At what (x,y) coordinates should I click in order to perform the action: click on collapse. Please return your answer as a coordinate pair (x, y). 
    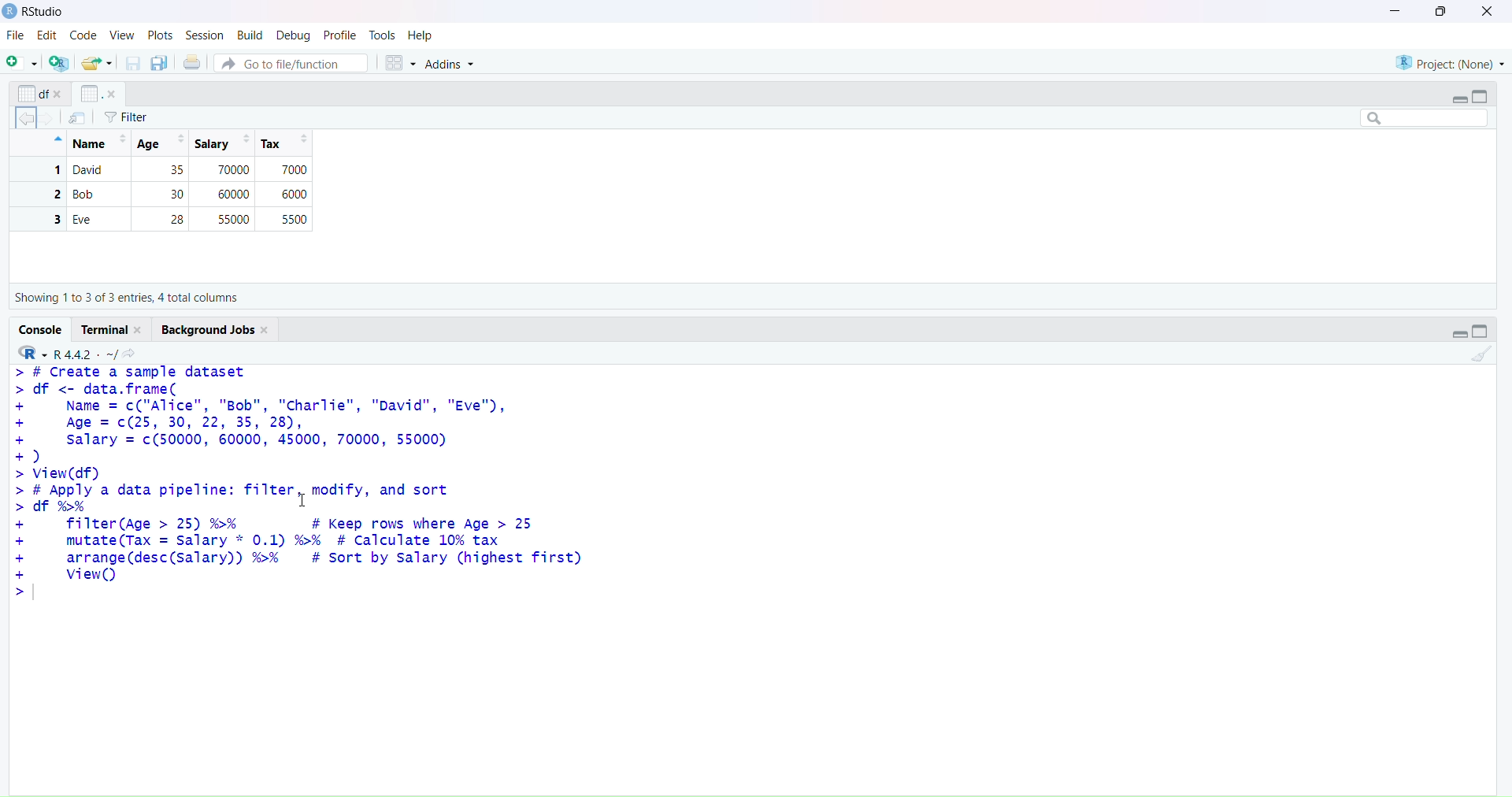
    Looking at the image, I should click on (1483, 332).